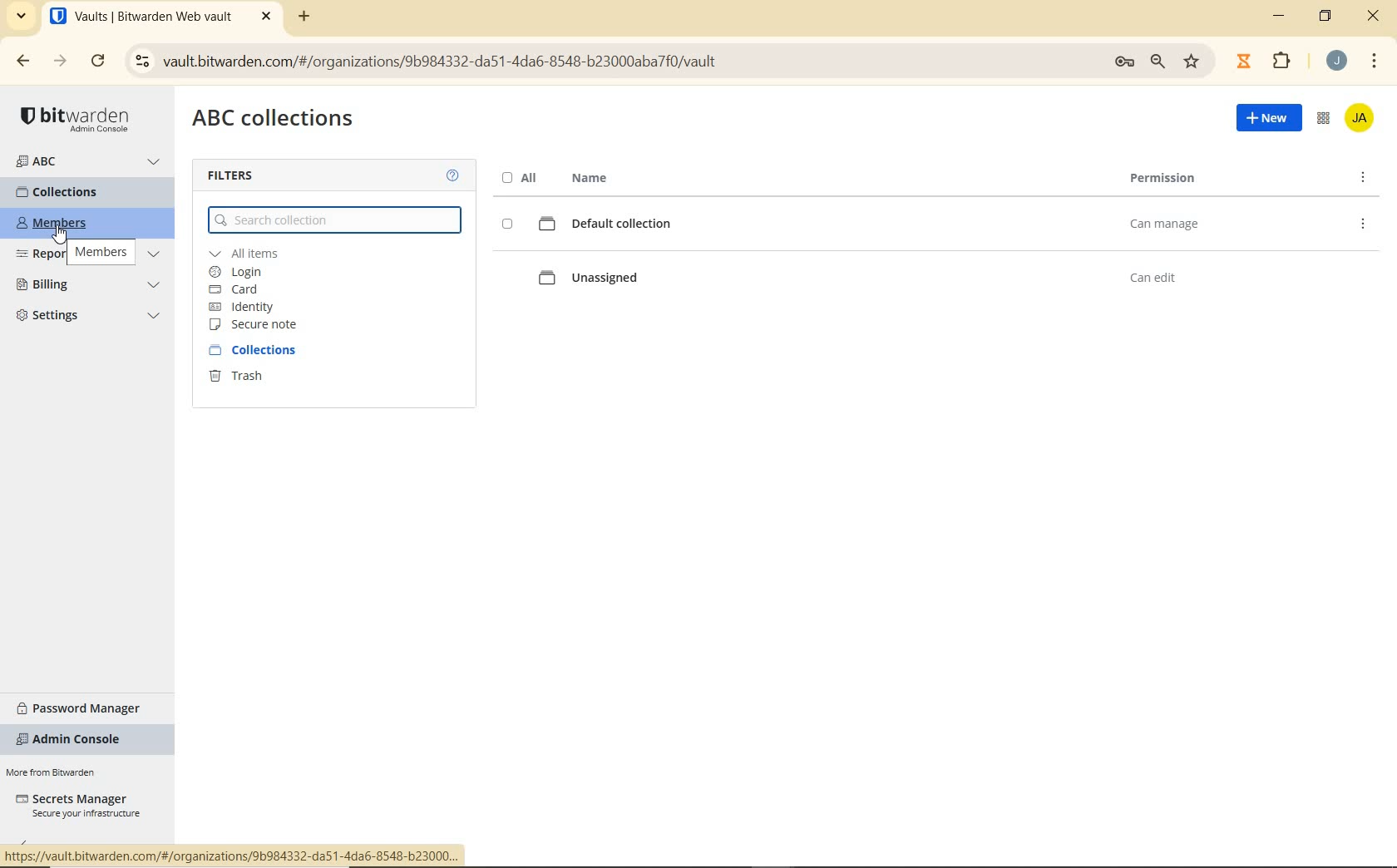 The image size is (1397, 868). Describe the element at coordinates (264, 254) in the screenshot. I see `ALL ITEMS` at that location.